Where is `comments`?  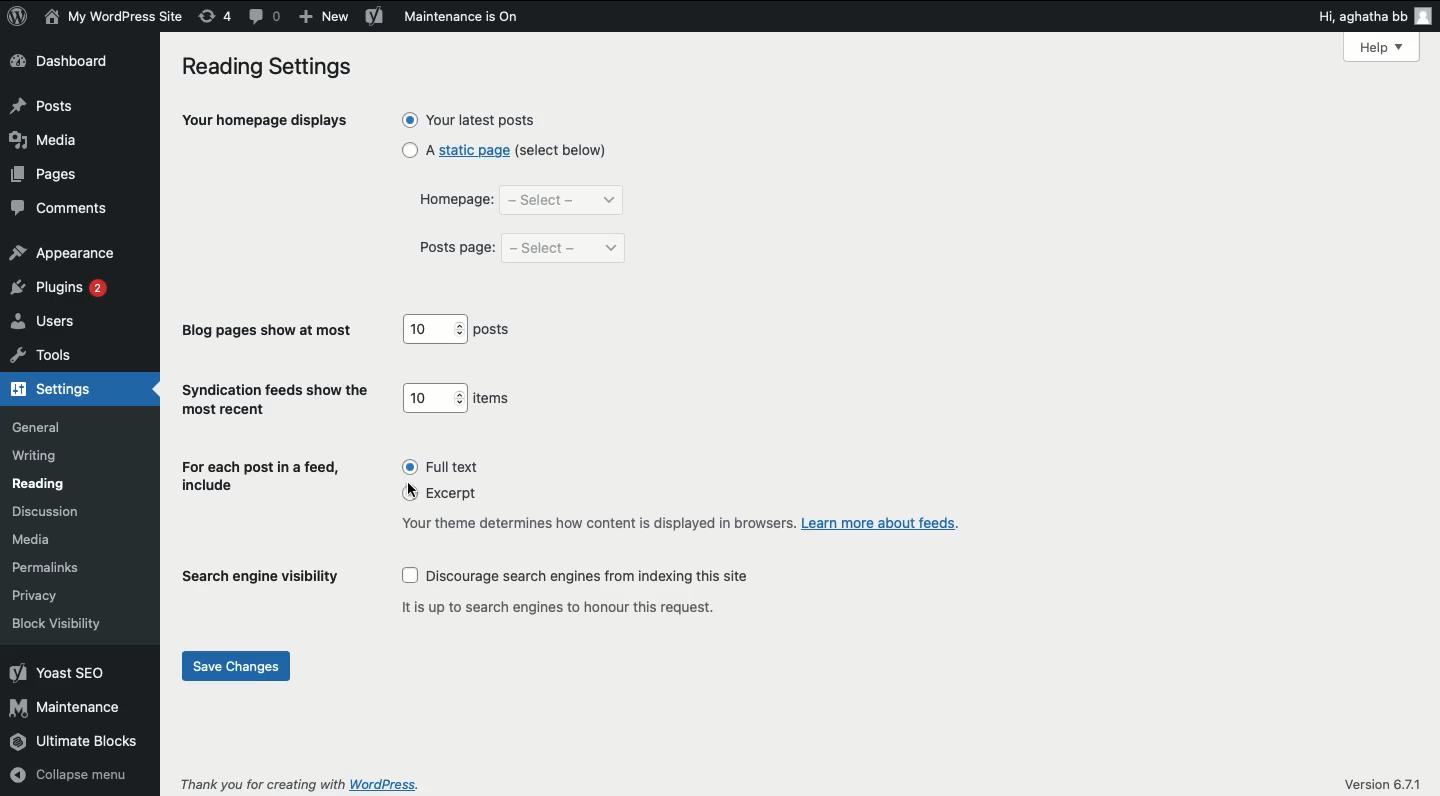 comments is located at coordinates (64, 208).